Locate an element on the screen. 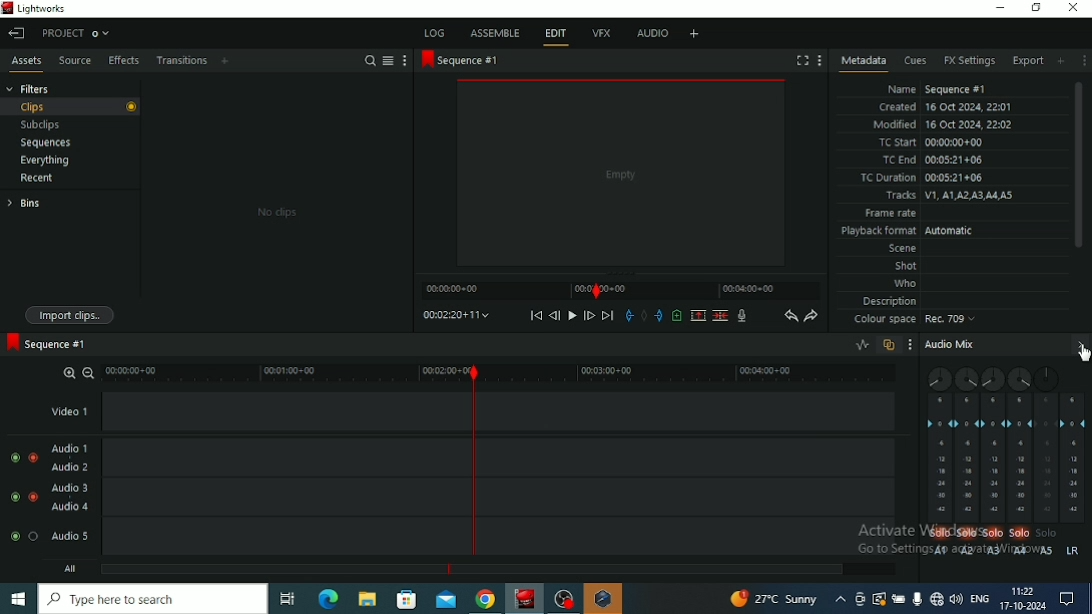 Image resolution: width=1092 pixels, height=614 pixels. Add Panel is located at coordinates (1061, 61).